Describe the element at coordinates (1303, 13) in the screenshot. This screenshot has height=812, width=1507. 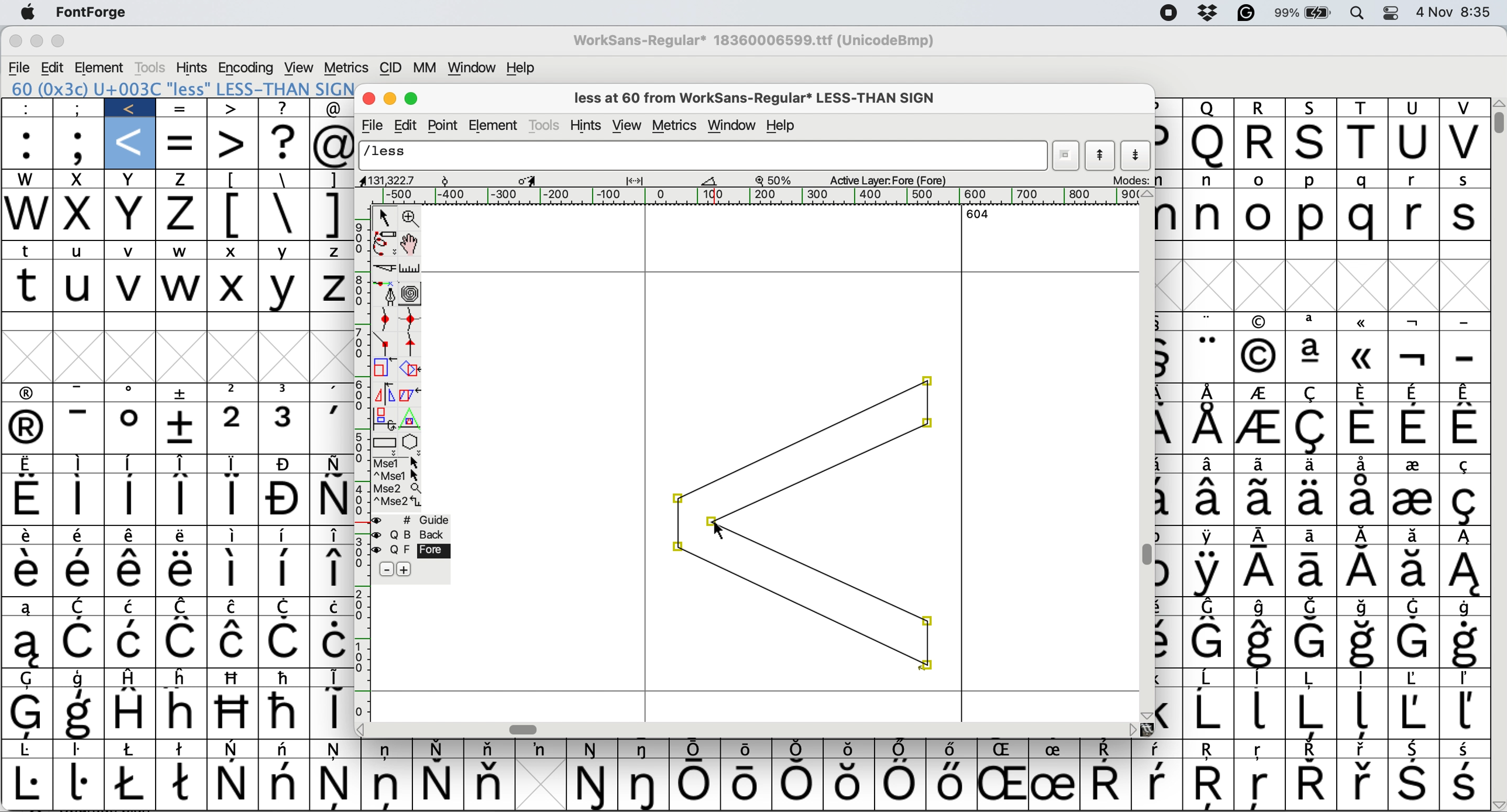
I see `battery` at that location.